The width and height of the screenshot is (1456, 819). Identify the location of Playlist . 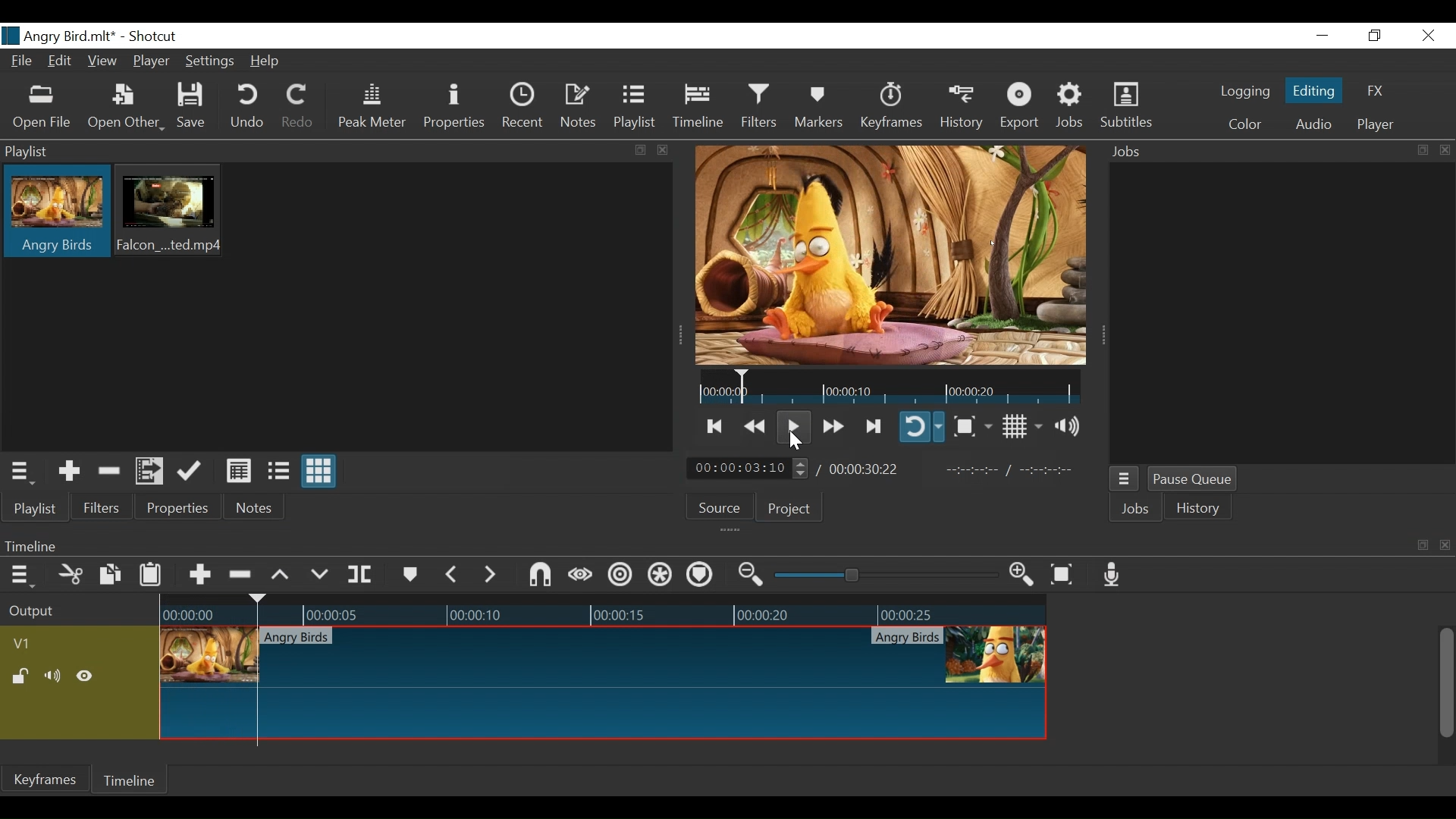
(34, 508).